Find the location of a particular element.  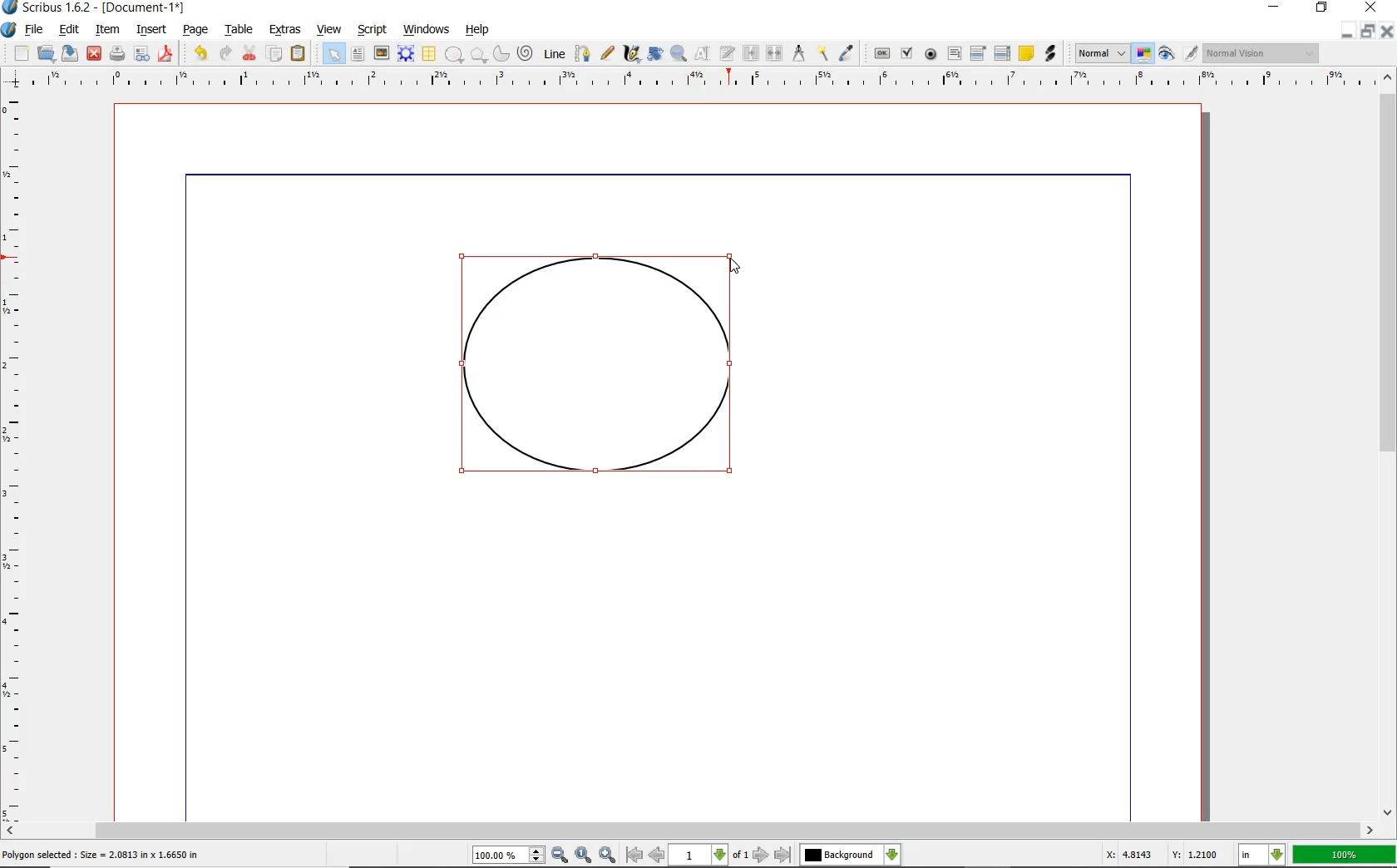

RULER is located at coordinates (14, 461).